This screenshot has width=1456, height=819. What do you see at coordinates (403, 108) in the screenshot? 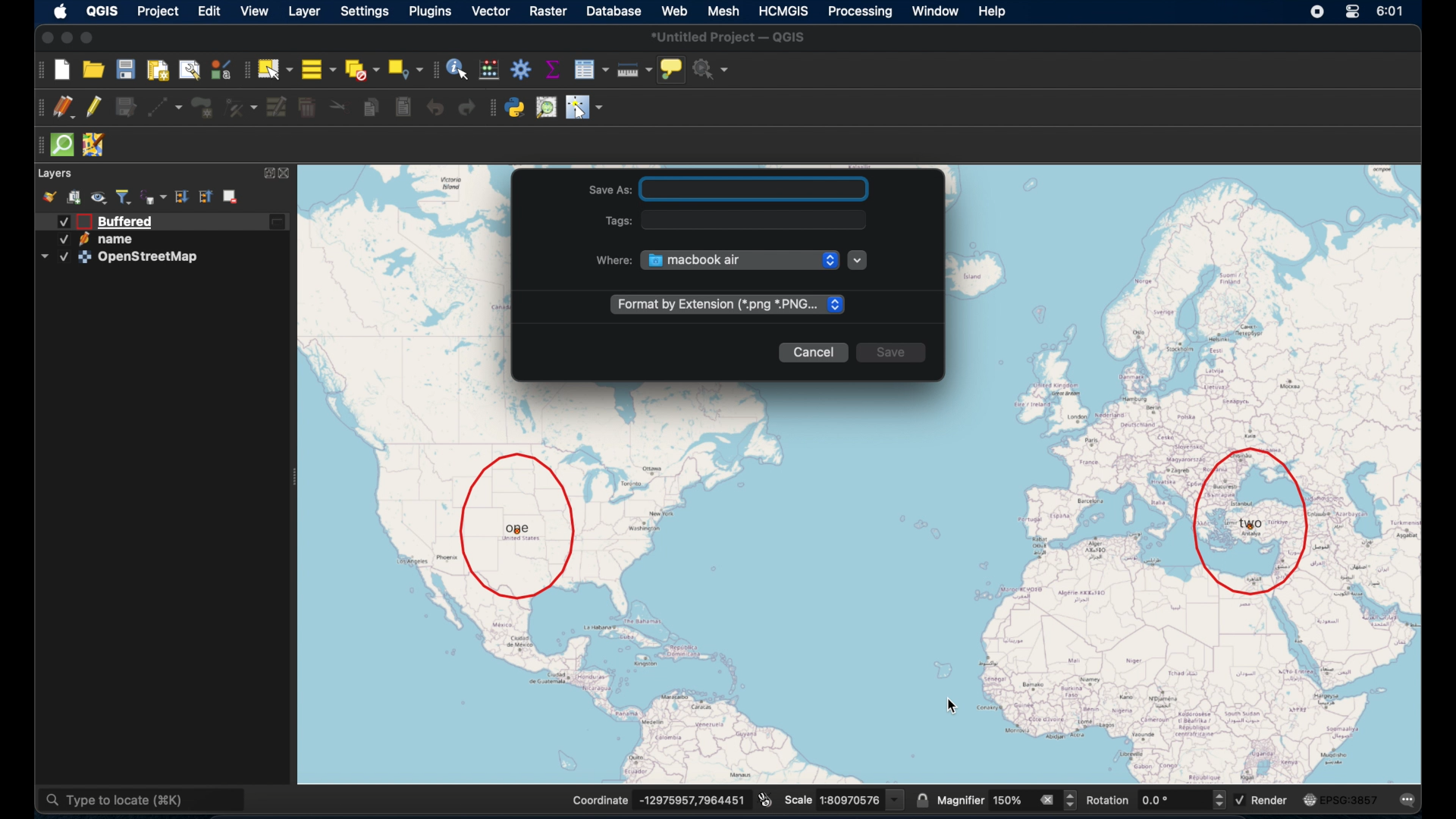
I see `paste features` at bounding box center [403, 108].